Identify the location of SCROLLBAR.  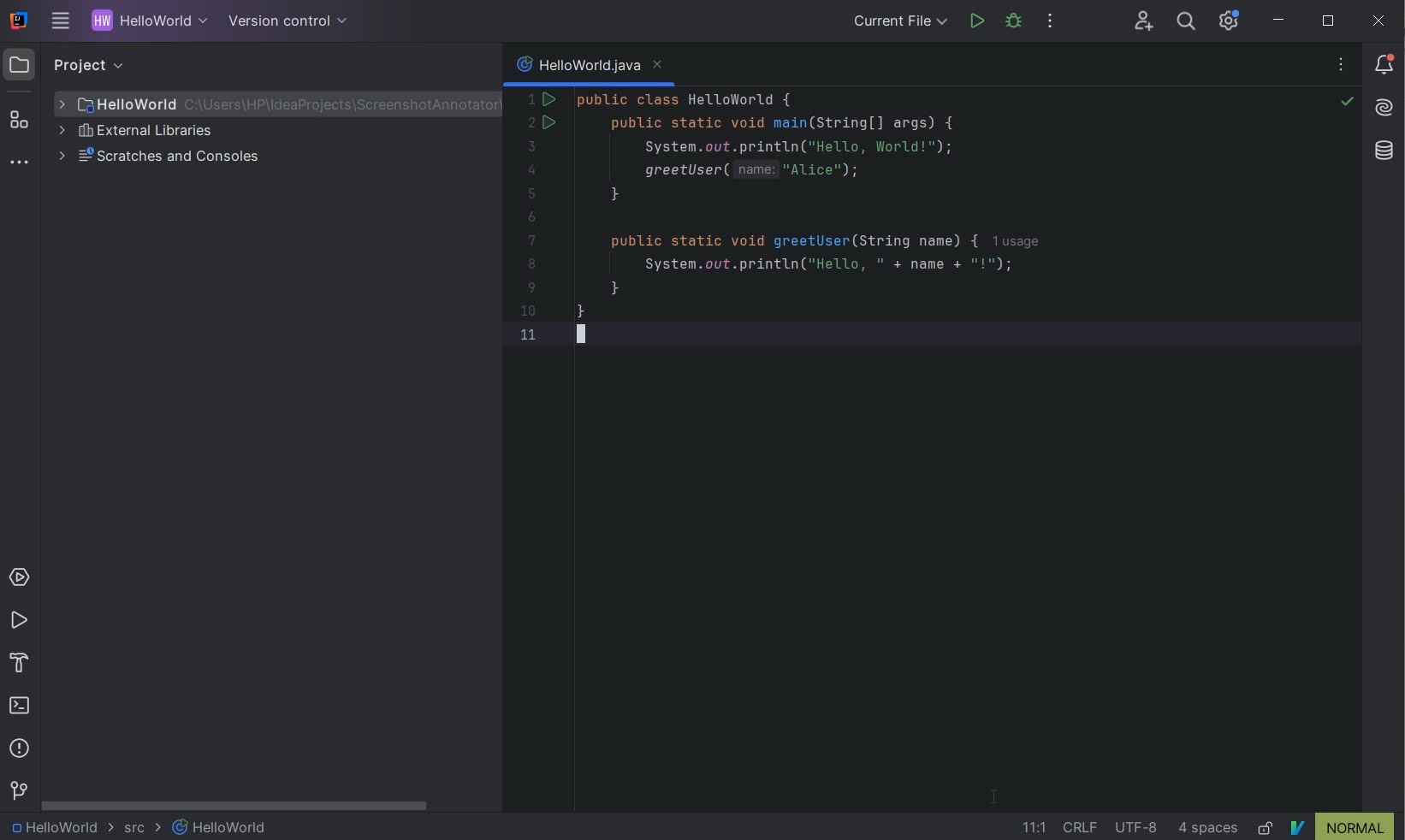
(237, 807).